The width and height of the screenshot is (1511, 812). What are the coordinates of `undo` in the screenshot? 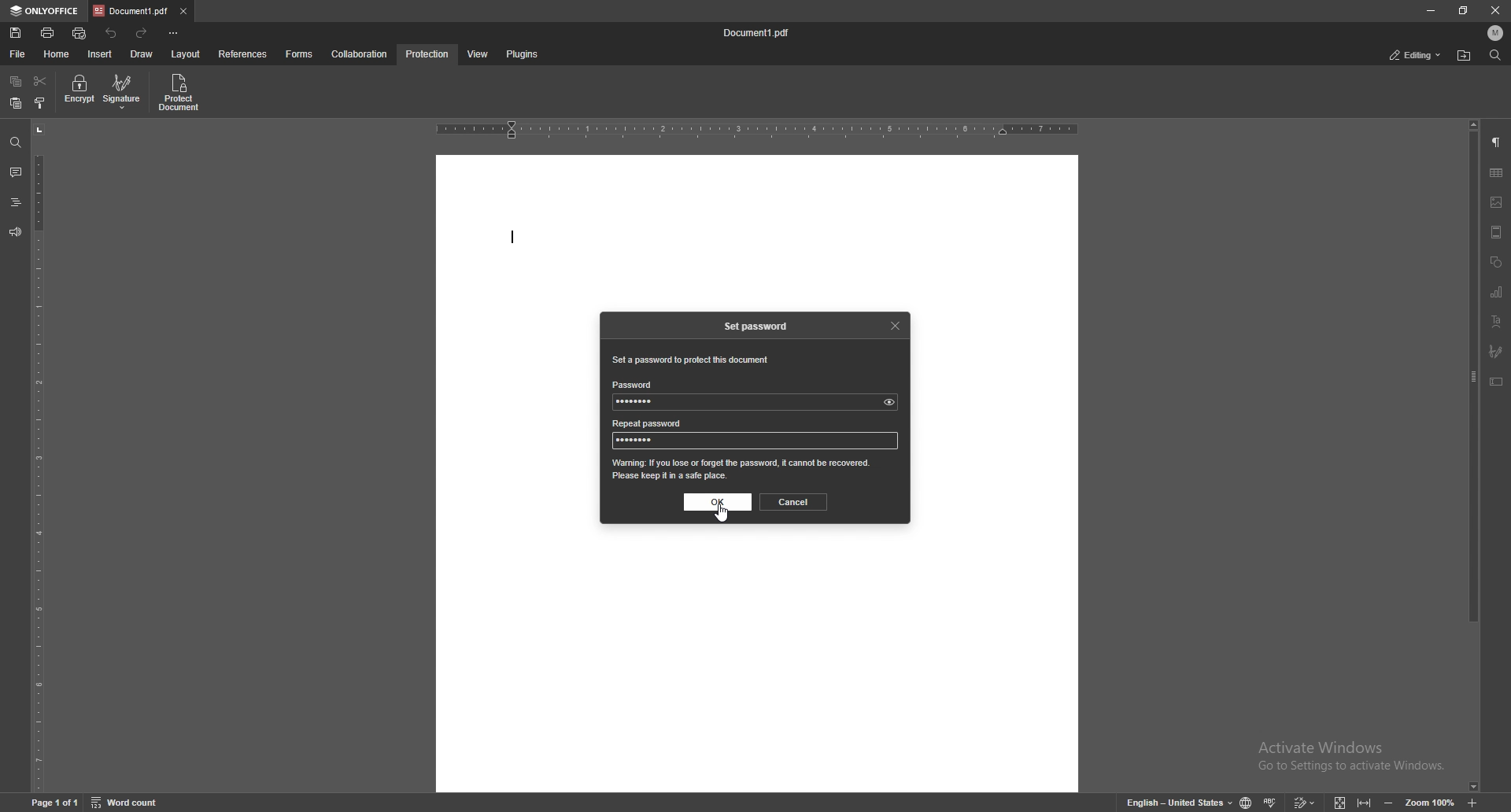 It's located at (112, 34).